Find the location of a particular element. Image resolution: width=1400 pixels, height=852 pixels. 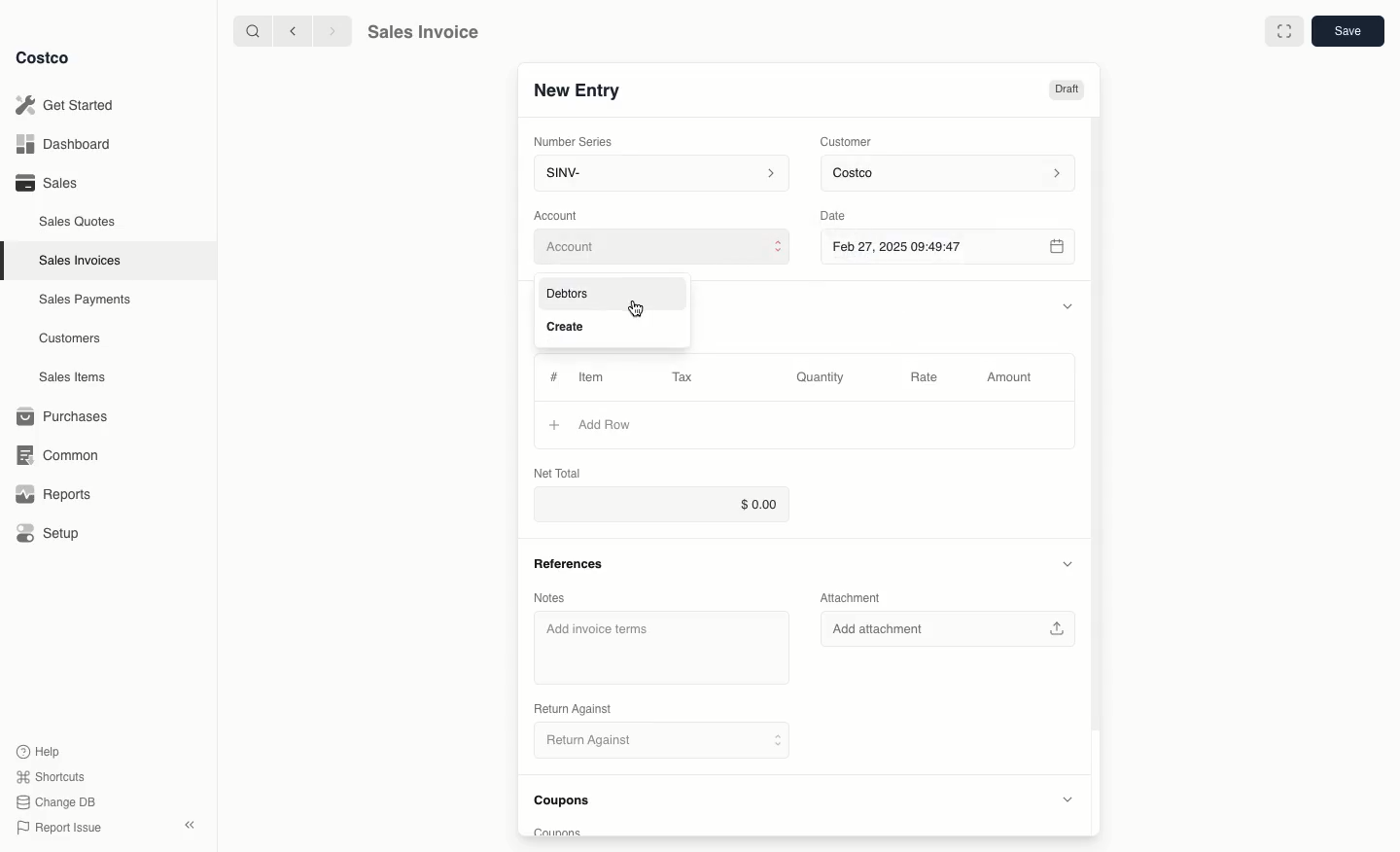

Debtors is located at coordinates (575, 294).